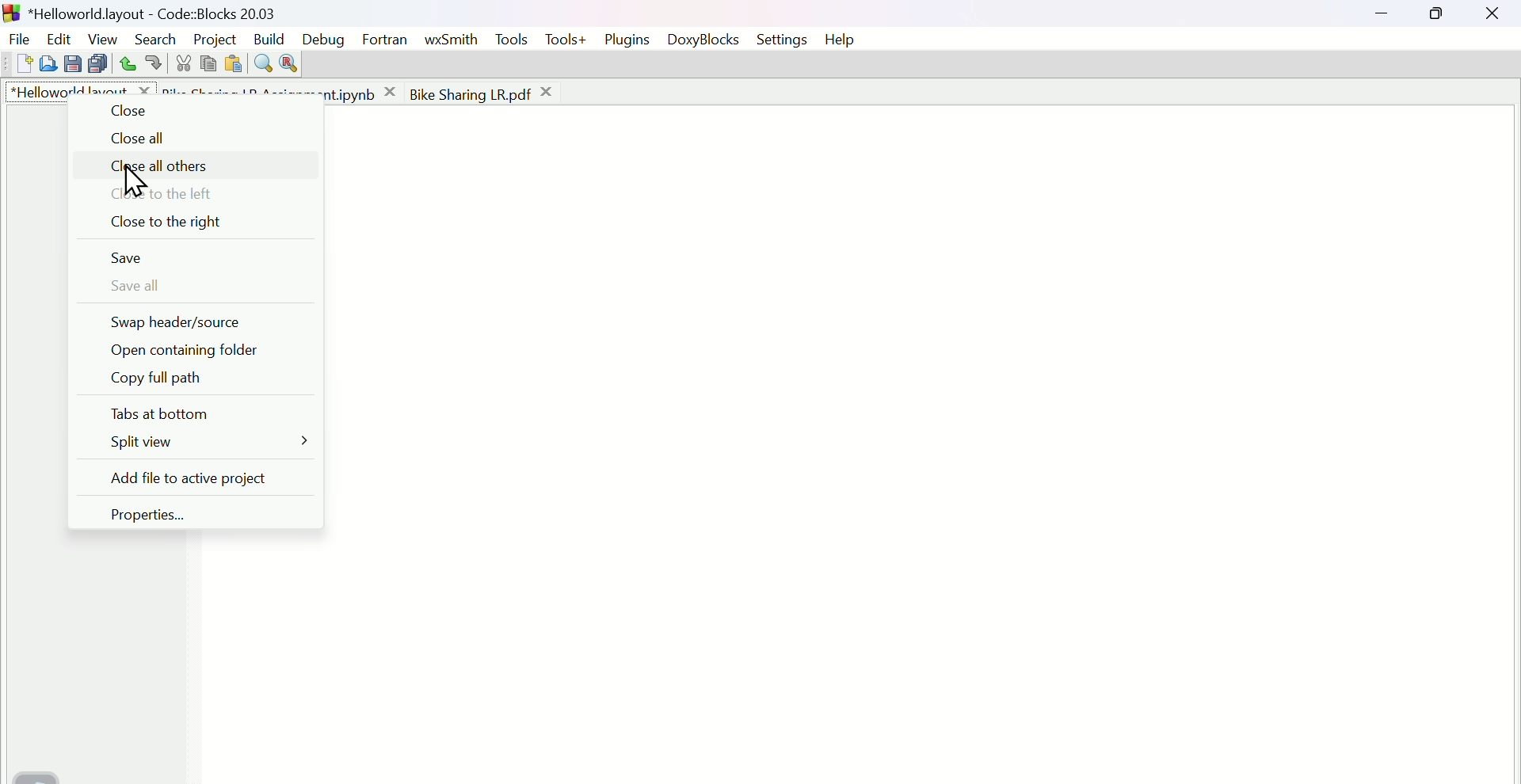  What do you see at coordinates (183, 63) in the screenshot?
I see `cut` at bounding box center [183, 63].